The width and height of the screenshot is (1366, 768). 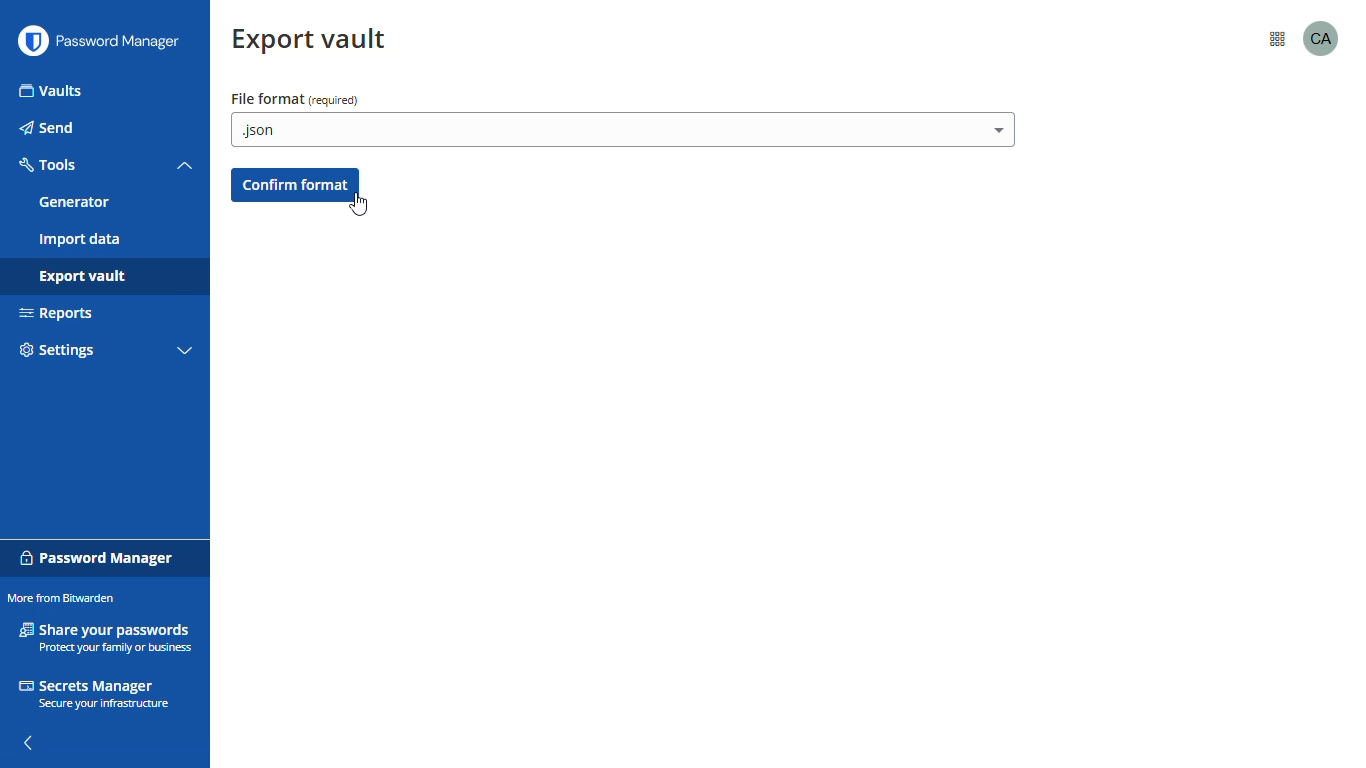 I want to click on share your passwords, so click(x=105, y=636).